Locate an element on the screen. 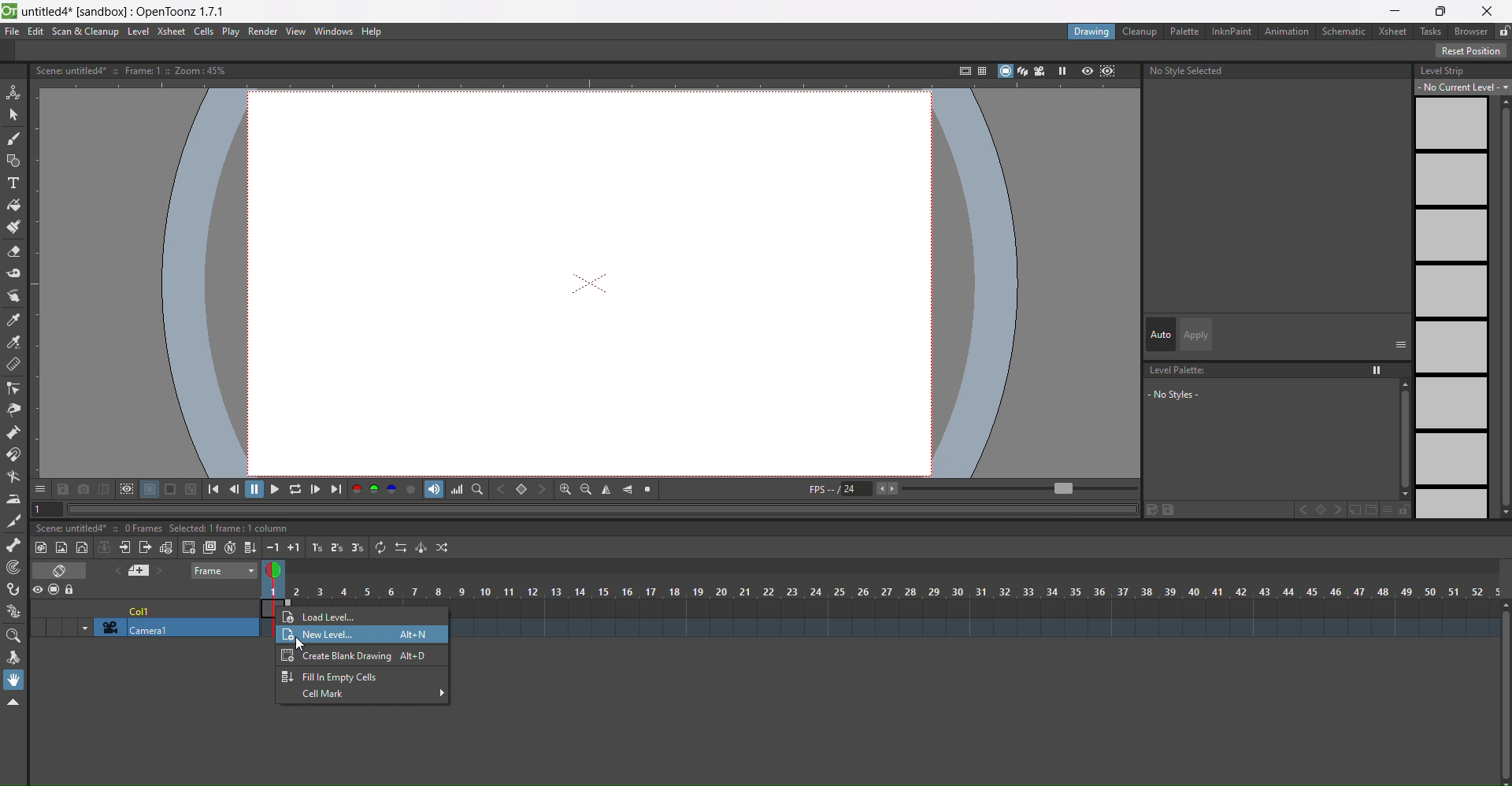  cell is located at coordinates (143, 609).